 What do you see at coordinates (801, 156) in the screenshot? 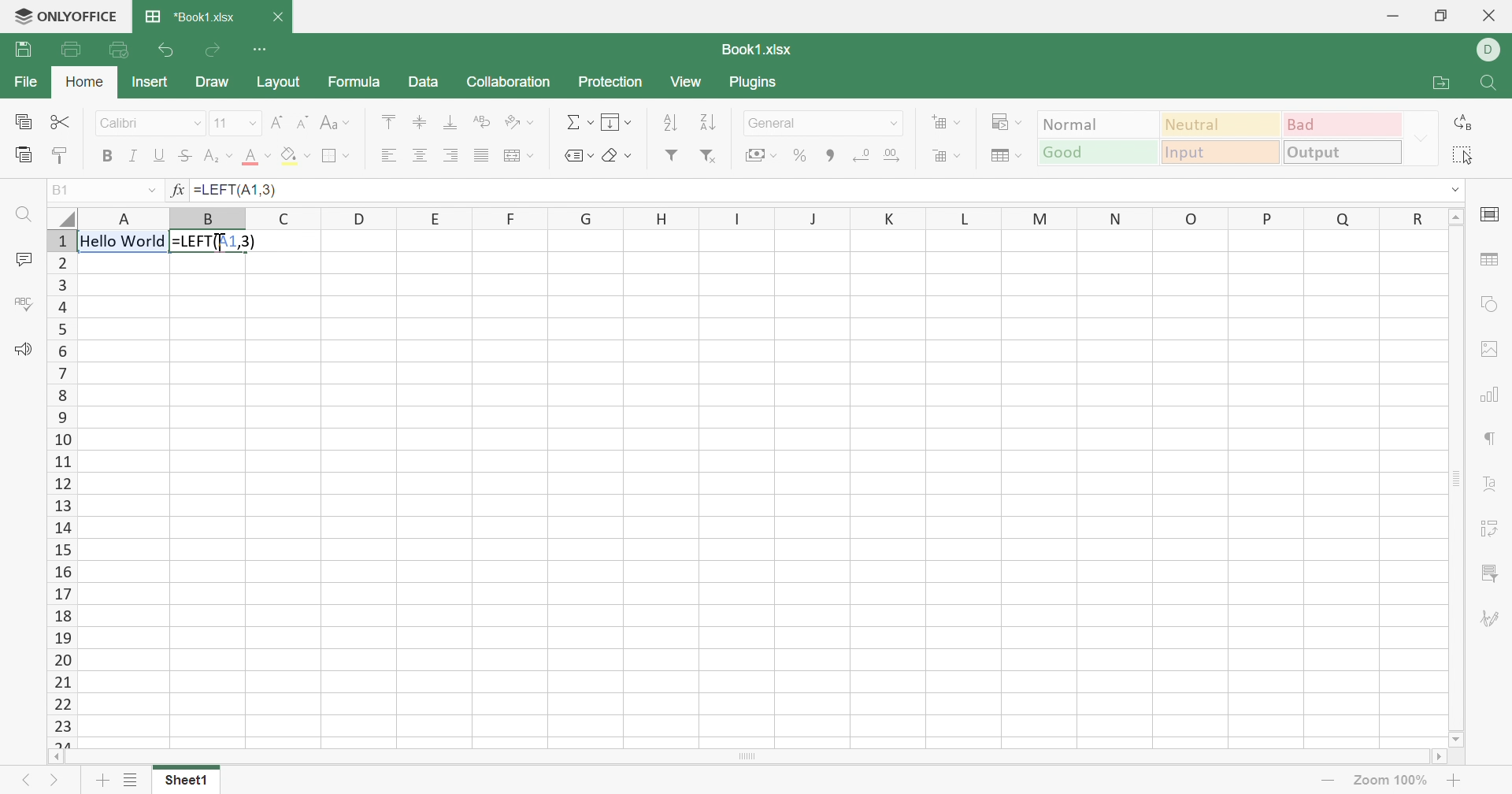
I see `Percent style` at bounding box center [801, 156].